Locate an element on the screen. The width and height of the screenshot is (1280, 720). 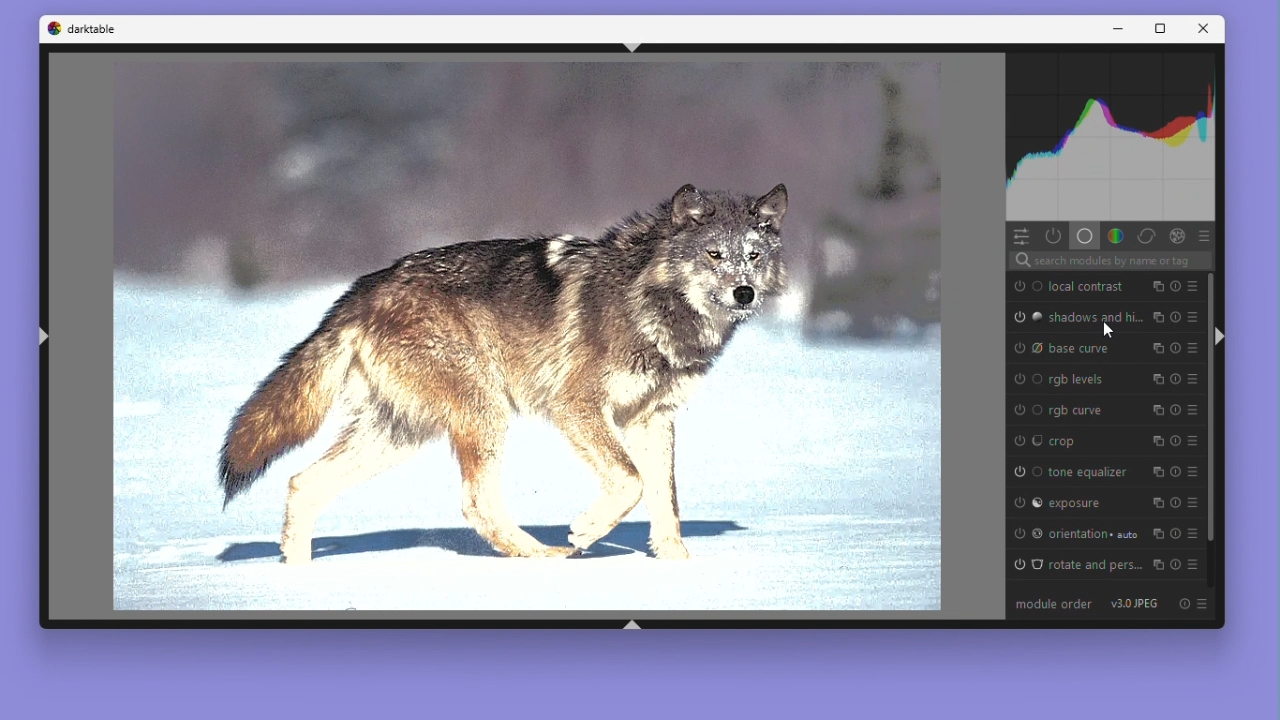
reset parameters is located at coordinates (1175, 380).